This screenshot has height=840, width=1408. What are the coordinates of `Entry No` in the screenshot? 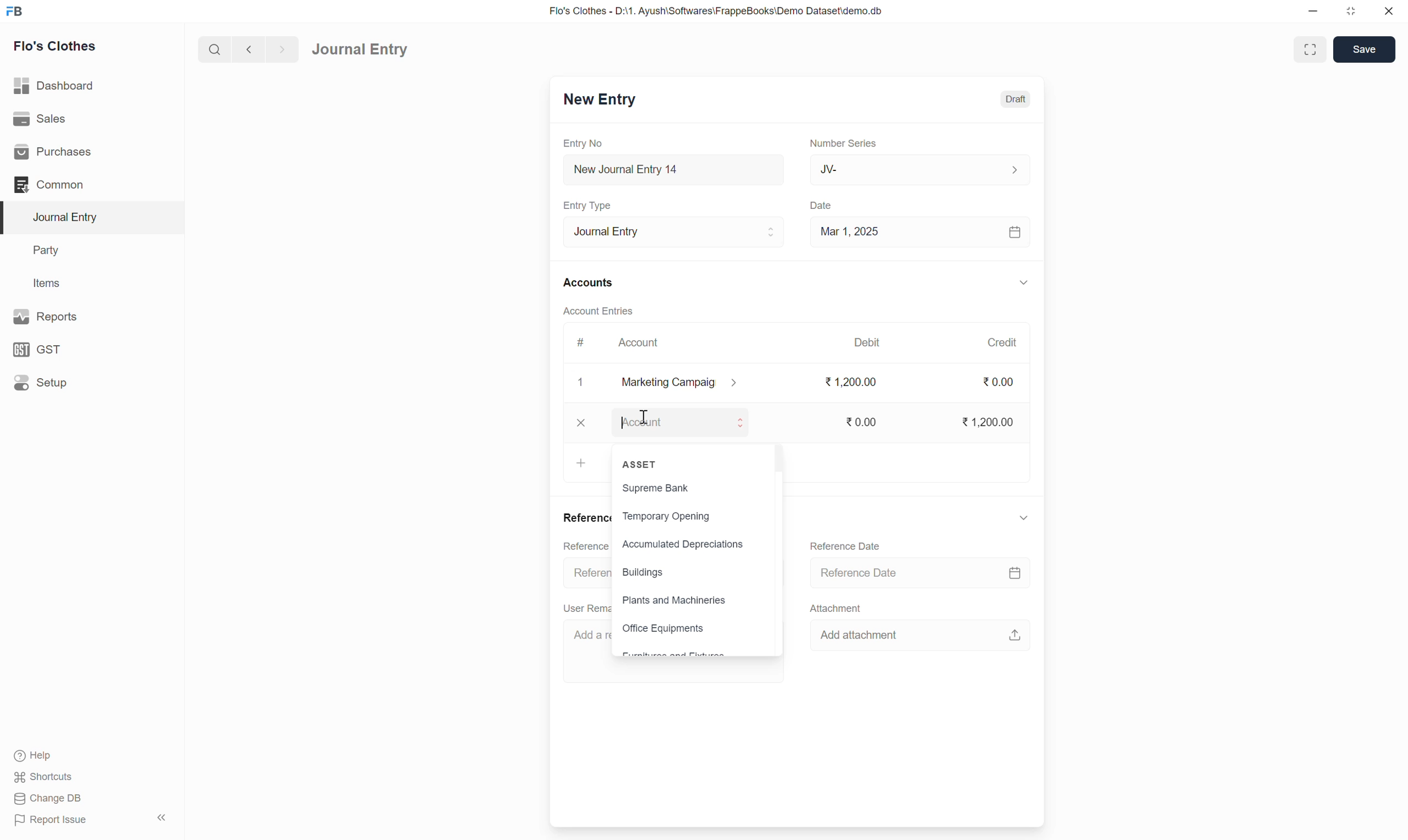 It's located at (585, 143).